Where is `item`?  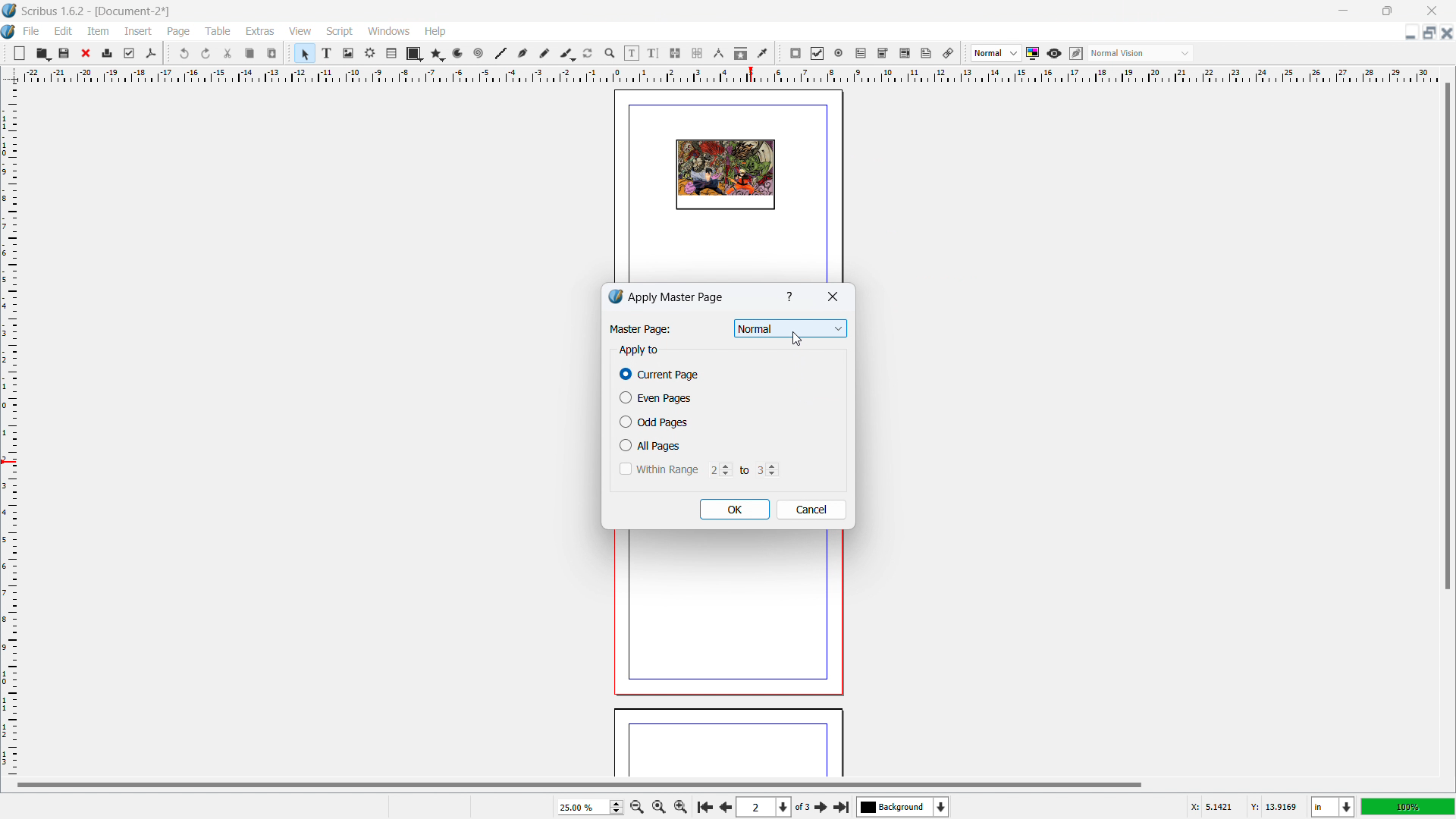
item is located at coordinates (99, 30).